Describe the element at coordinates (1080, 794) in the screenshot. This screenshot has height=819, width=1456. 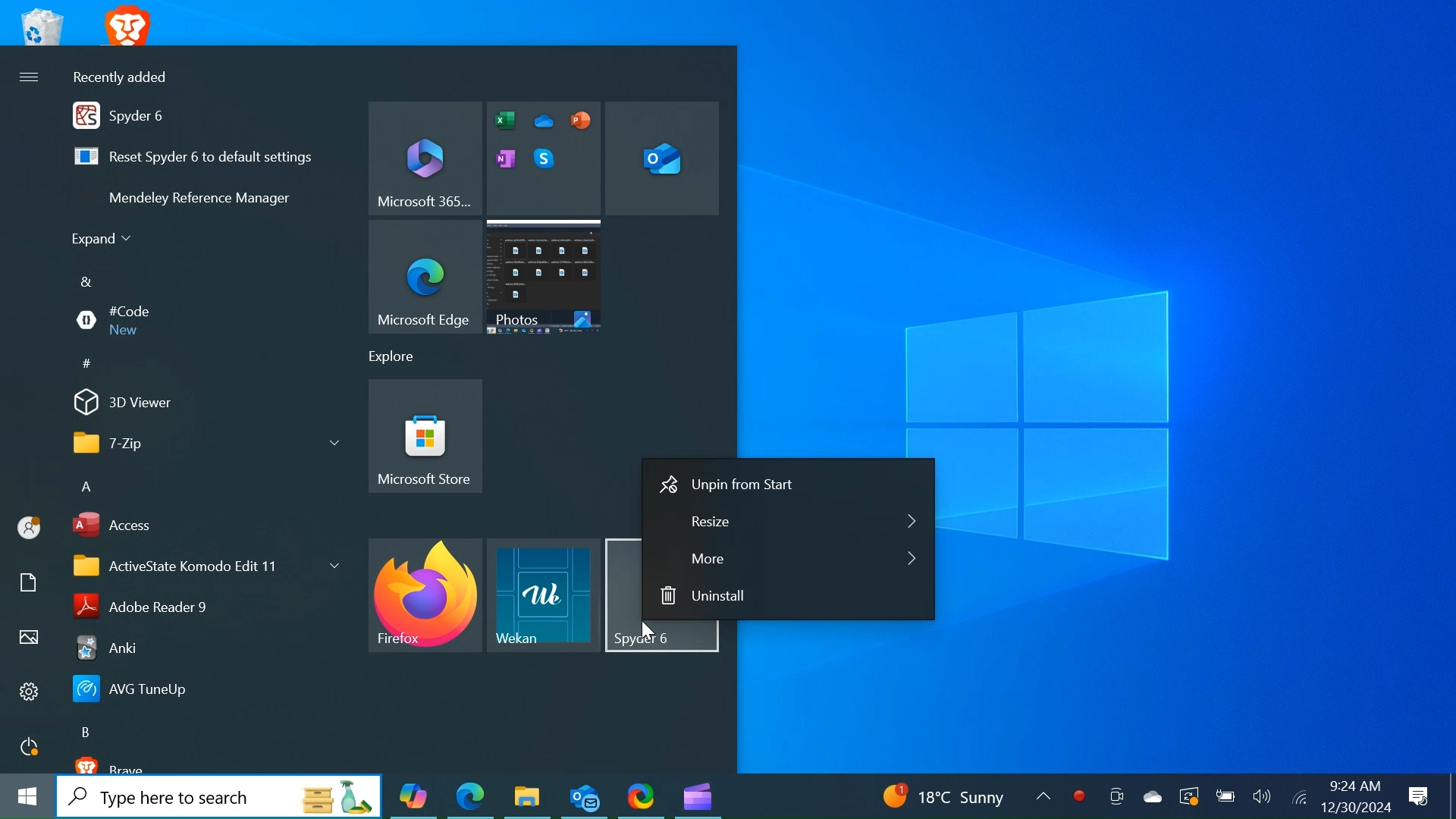
I see `Record` at that location.